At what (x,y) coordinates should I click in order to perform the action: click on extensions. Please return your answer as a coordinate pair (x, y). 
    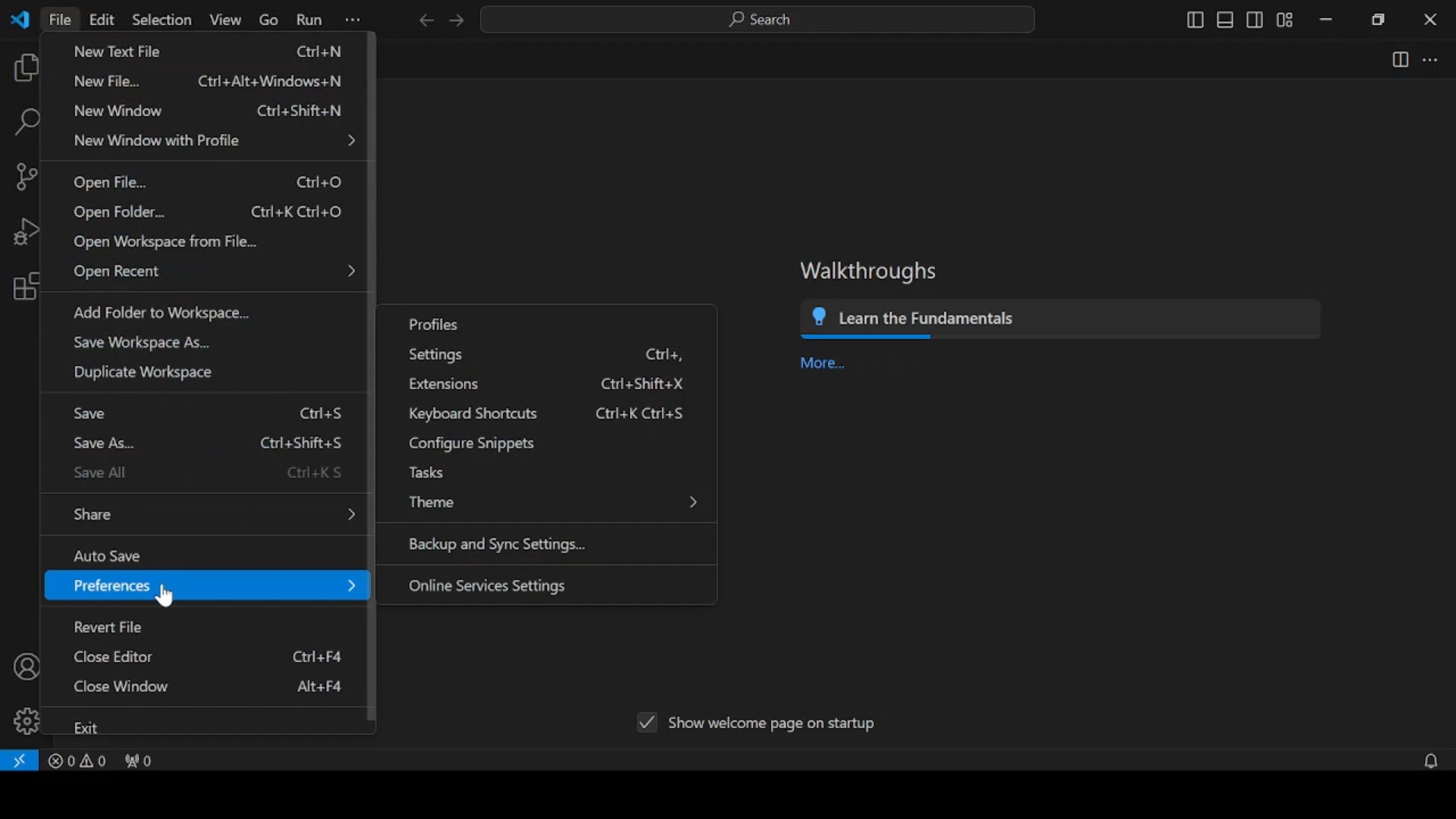
    Looking at the image, I should click on (445, 384).